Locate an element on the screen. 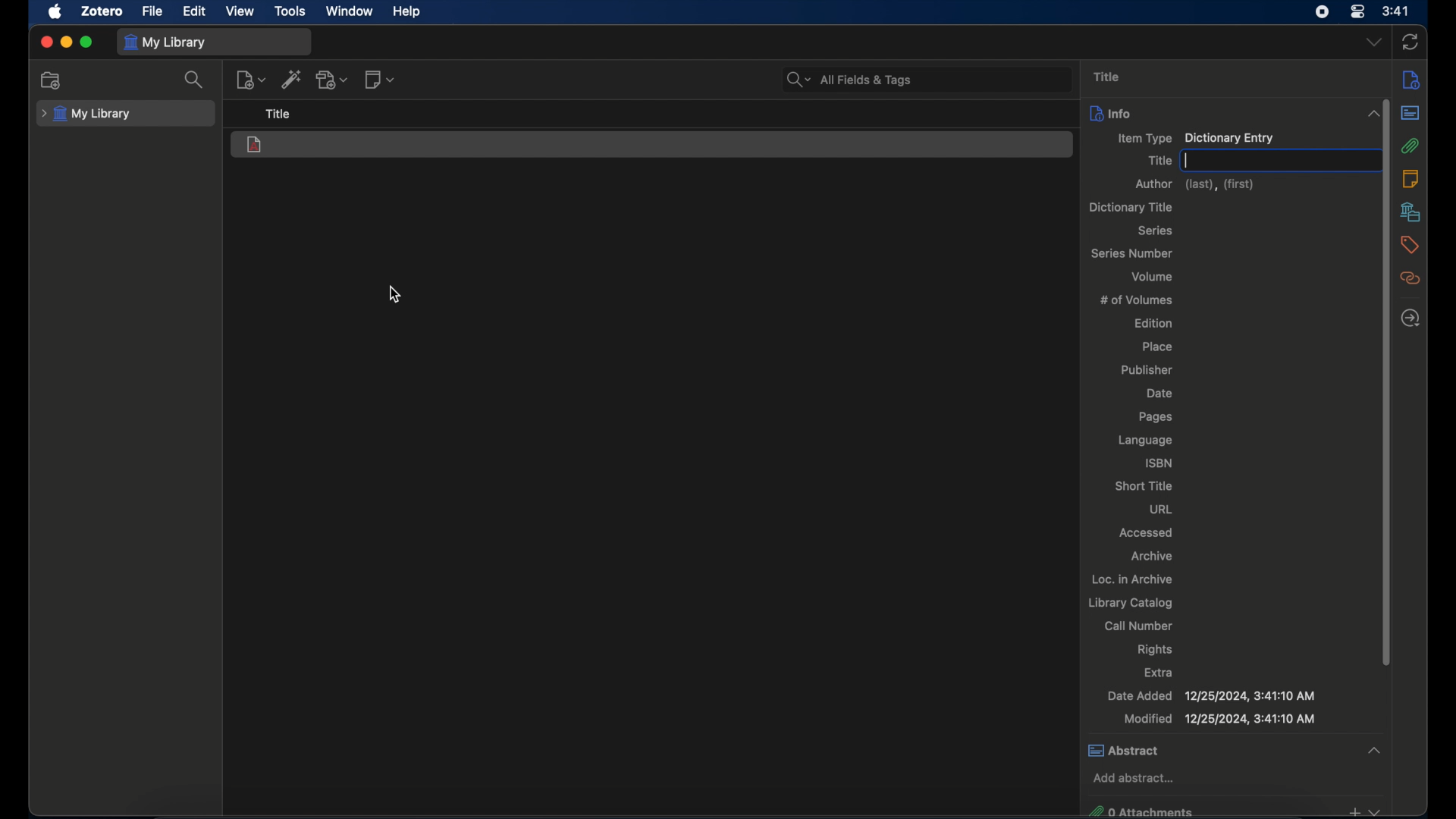  notes is located at coordinates (1410, 178).